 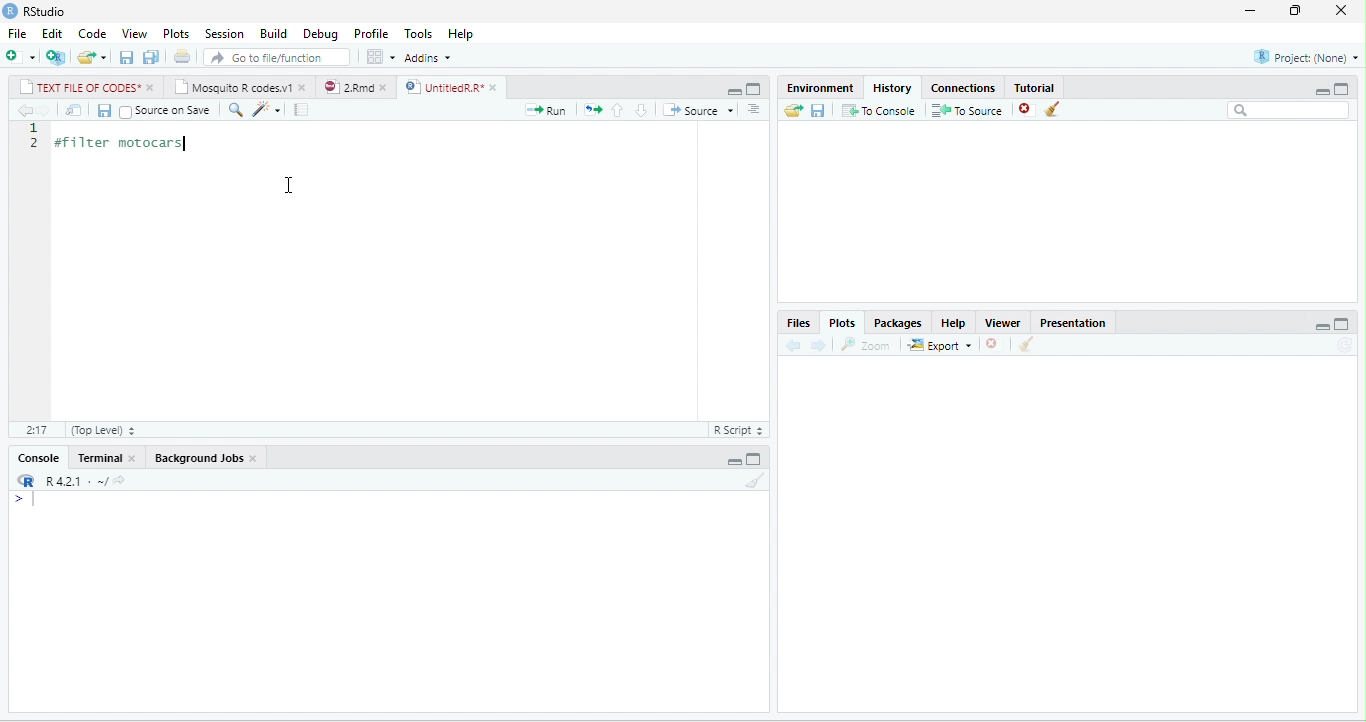 I want to click on RStudio, so click(x=44, y=11).